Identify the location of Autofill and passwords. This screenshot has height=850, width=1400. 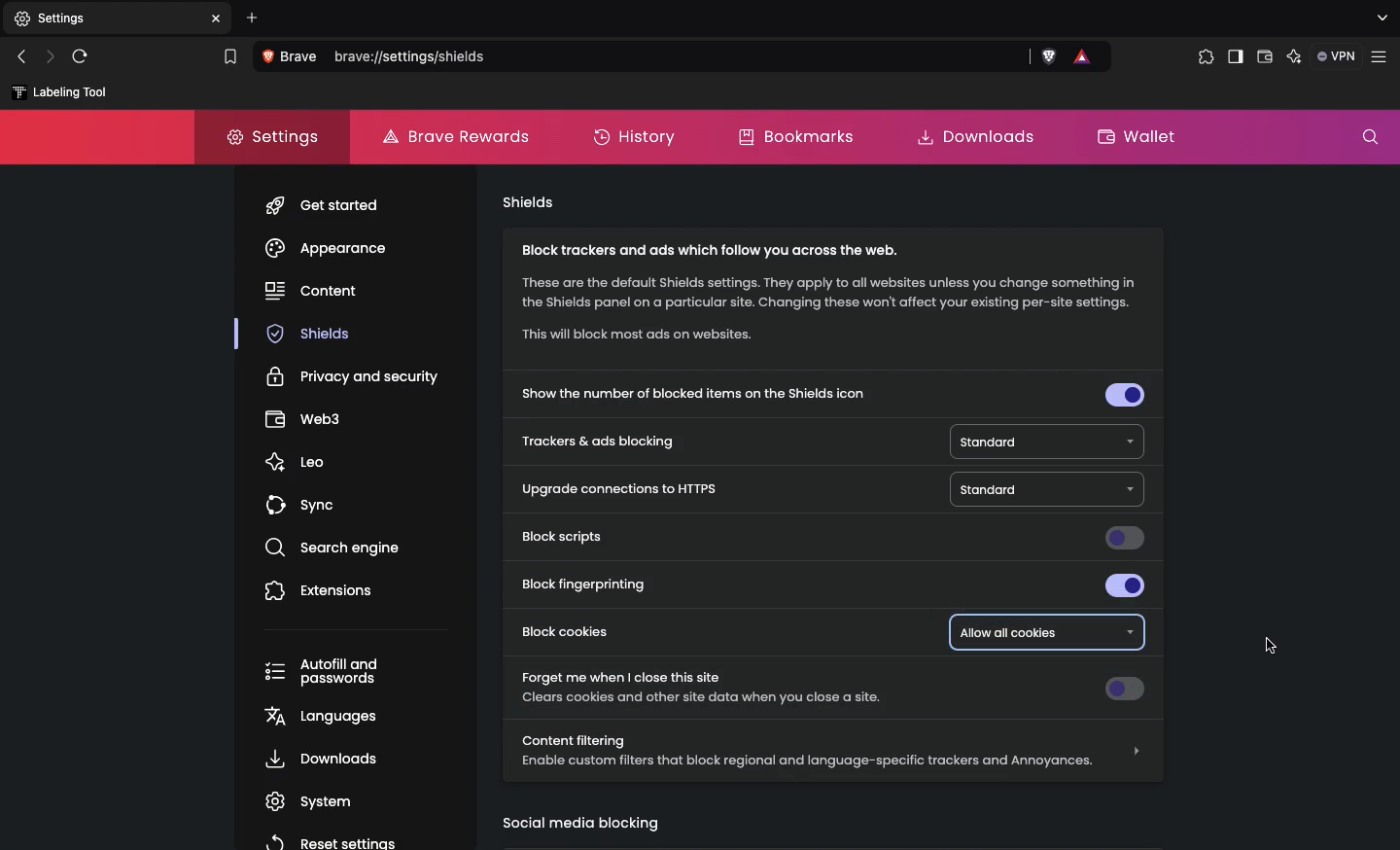
(321, 676).